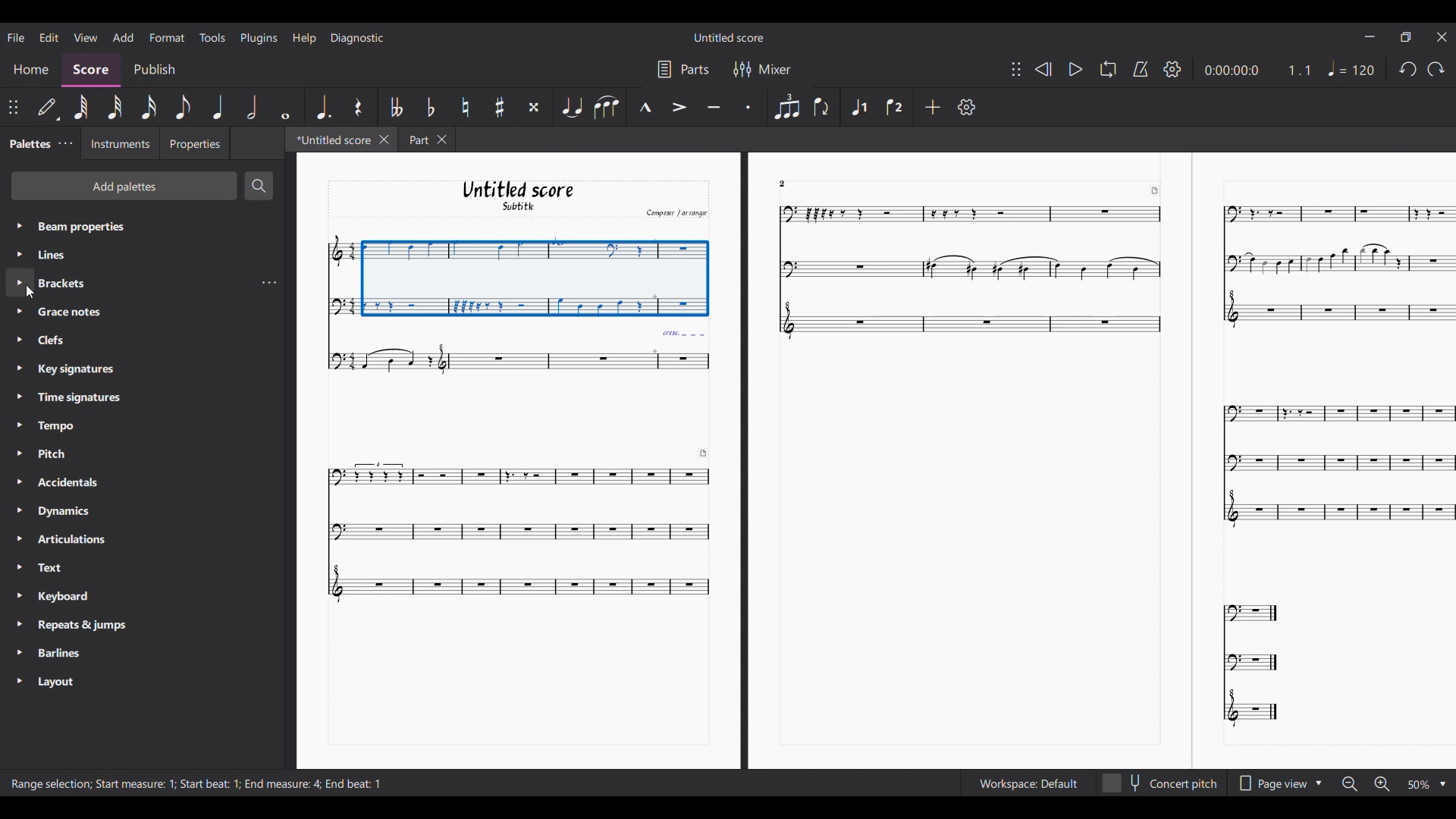  Describe the element at coordinates (118, 226) in the screenshot. I see `Beam properties` at that location.